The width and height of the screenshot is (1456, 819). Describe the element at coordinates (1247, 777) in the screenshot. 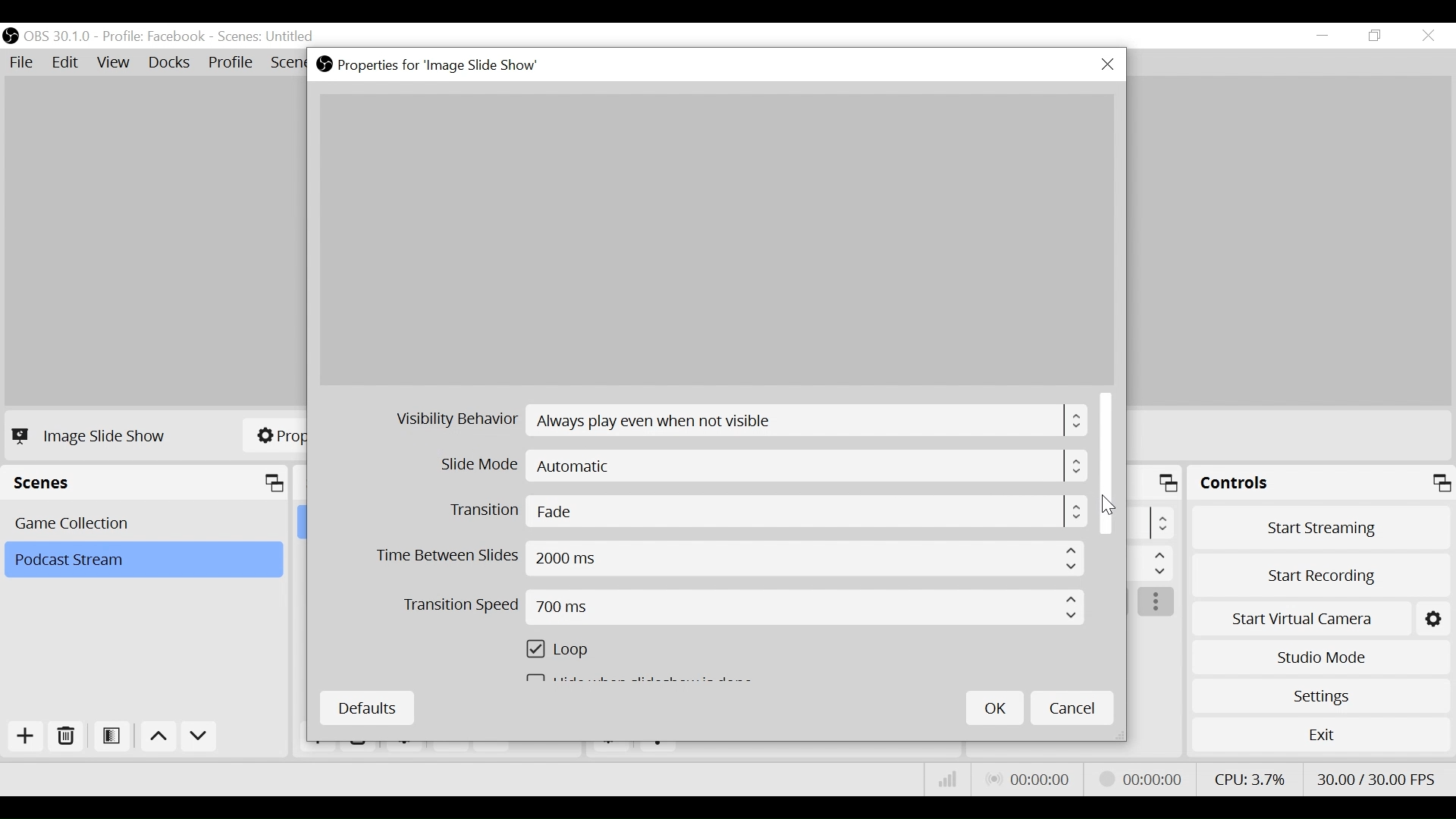

I see `CPU Usage` at that location.